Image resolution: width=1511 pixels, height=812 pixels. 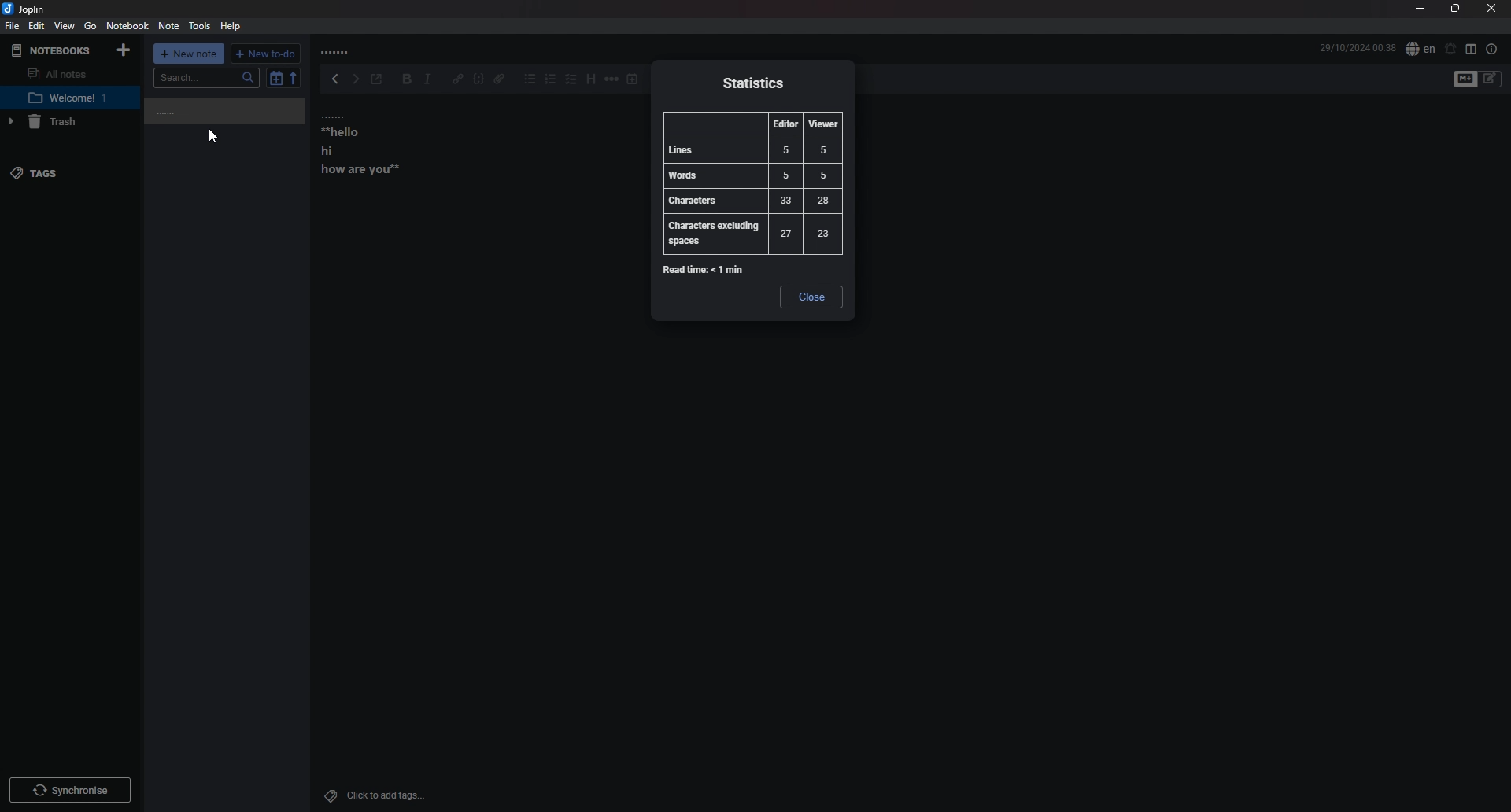 I want to click on go, so click(x=90, y=27).